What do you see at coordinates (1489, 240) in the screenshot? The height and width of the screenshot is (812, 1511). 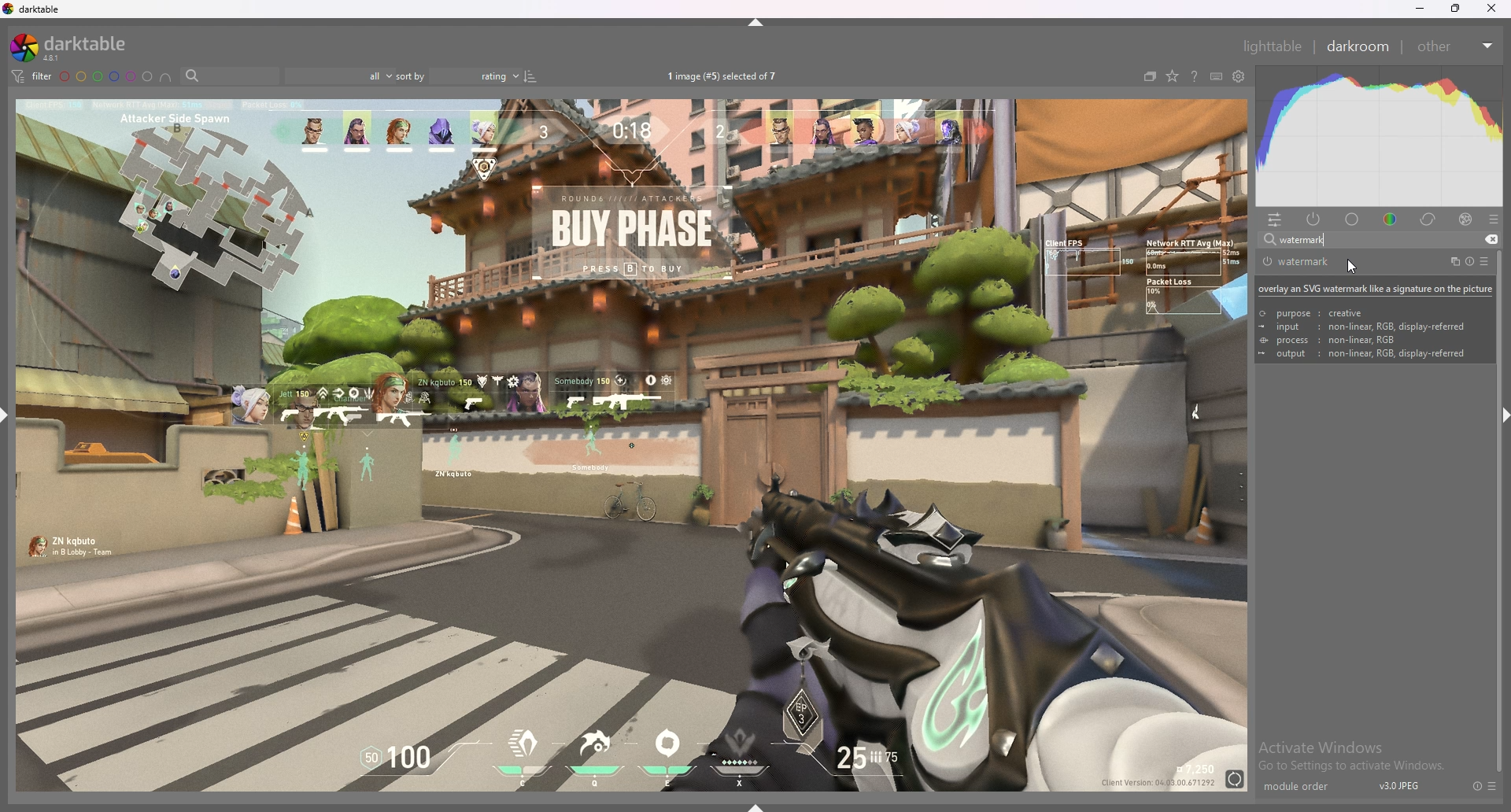 I see `remove` at bounding box center [1489, 240].